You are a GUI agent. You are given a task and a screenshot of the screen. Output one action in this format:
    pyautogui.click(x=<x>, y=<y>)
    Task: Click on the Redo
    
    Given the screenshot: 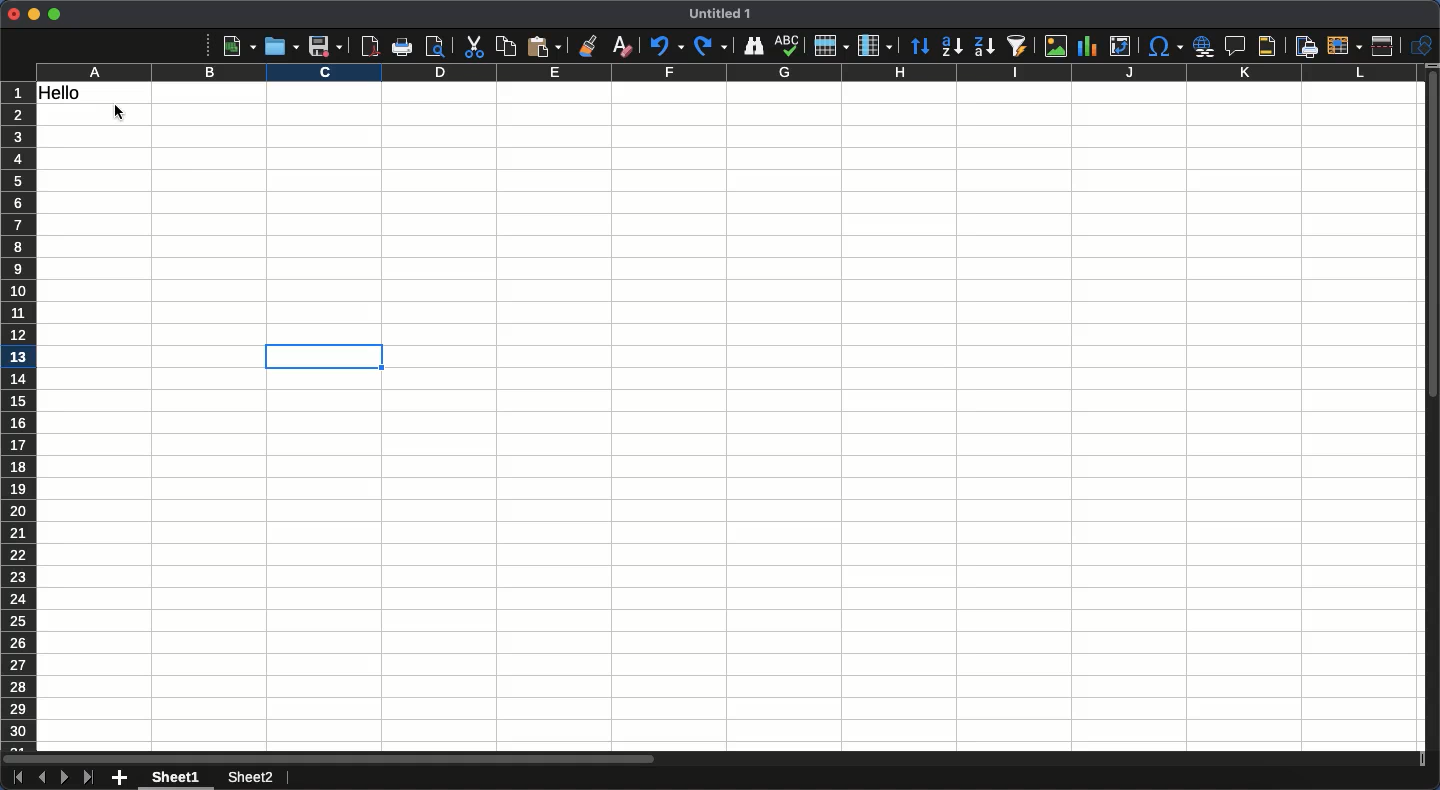 What is the action you would take?
    pyautogui.click(x=710, y=45)
    